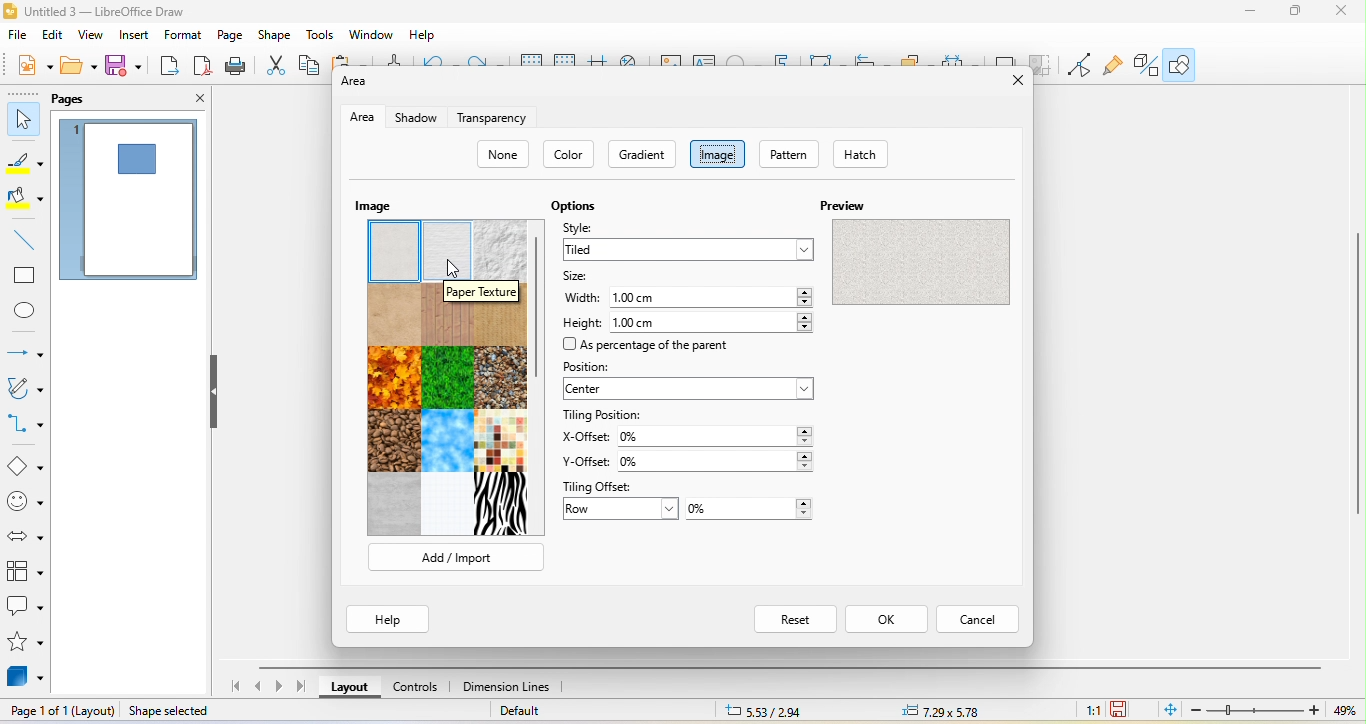 This screenshot has width=1366, height=724. What do you see at coordinates (25, 644) in the screenshot?
I see `stars and banners` at bounding box center [25, 644].